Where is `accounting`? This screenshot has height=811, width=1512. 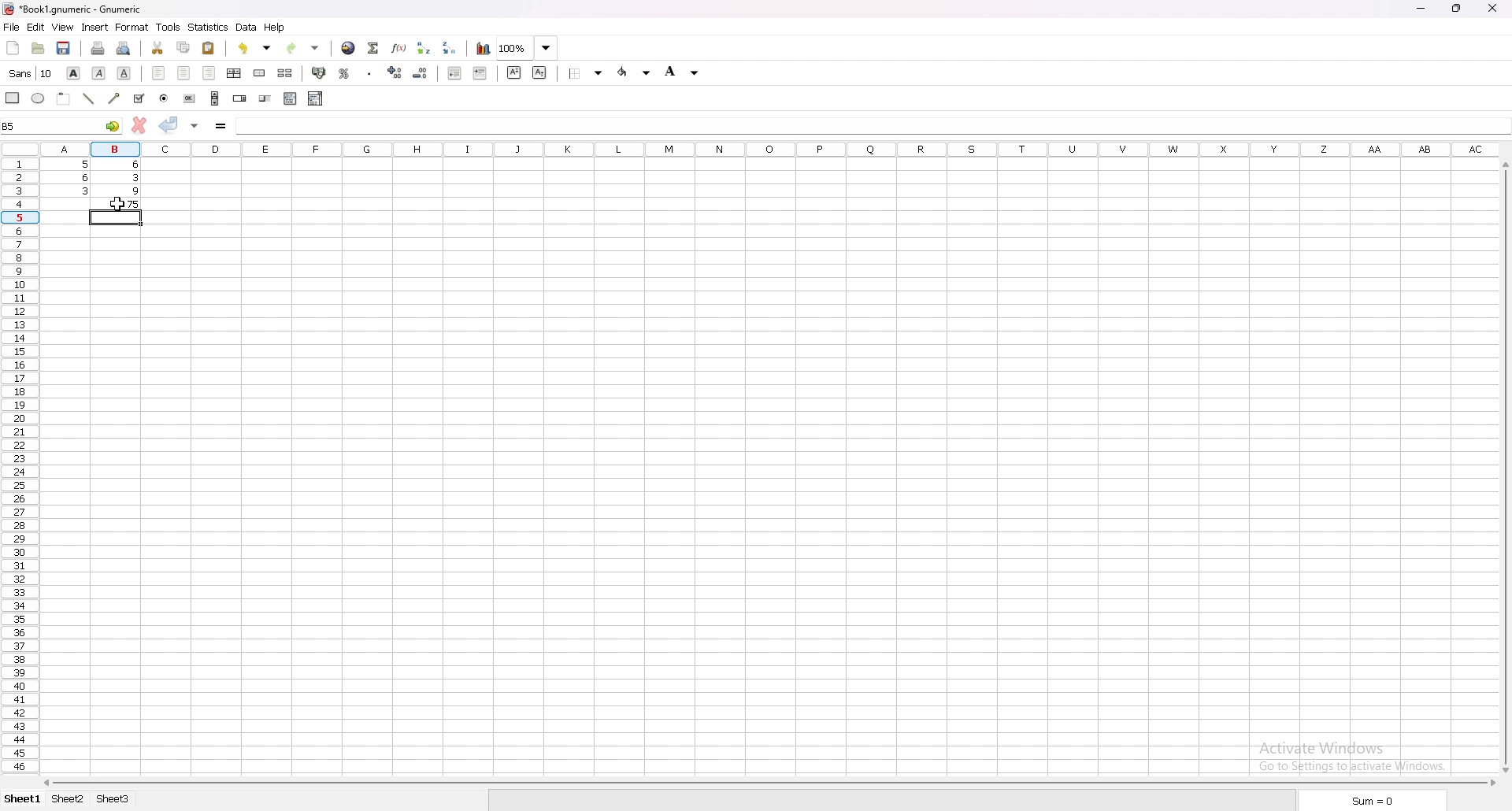
accounting is located at coordinates (318, 72).